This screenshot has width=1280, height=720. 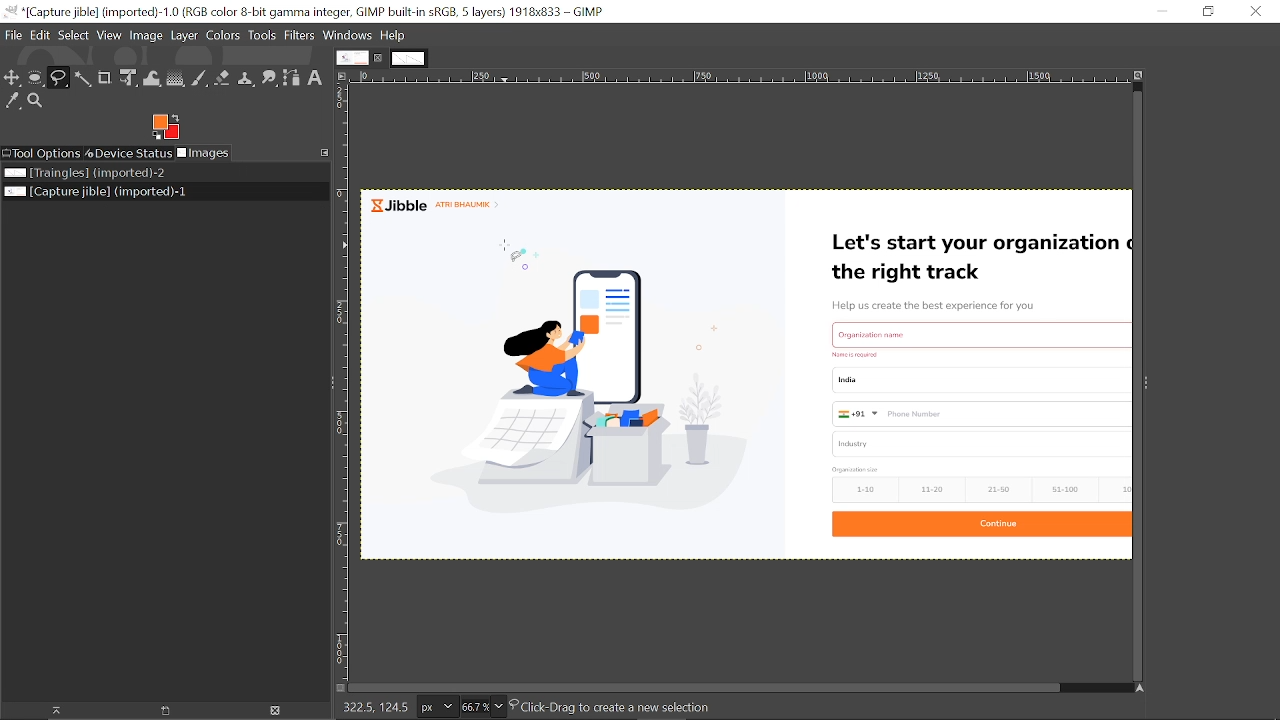 What do you see at coordinates (1141, 688) in the screenshot?
I see `Navigate this display` at bounding box center [1141, 688].